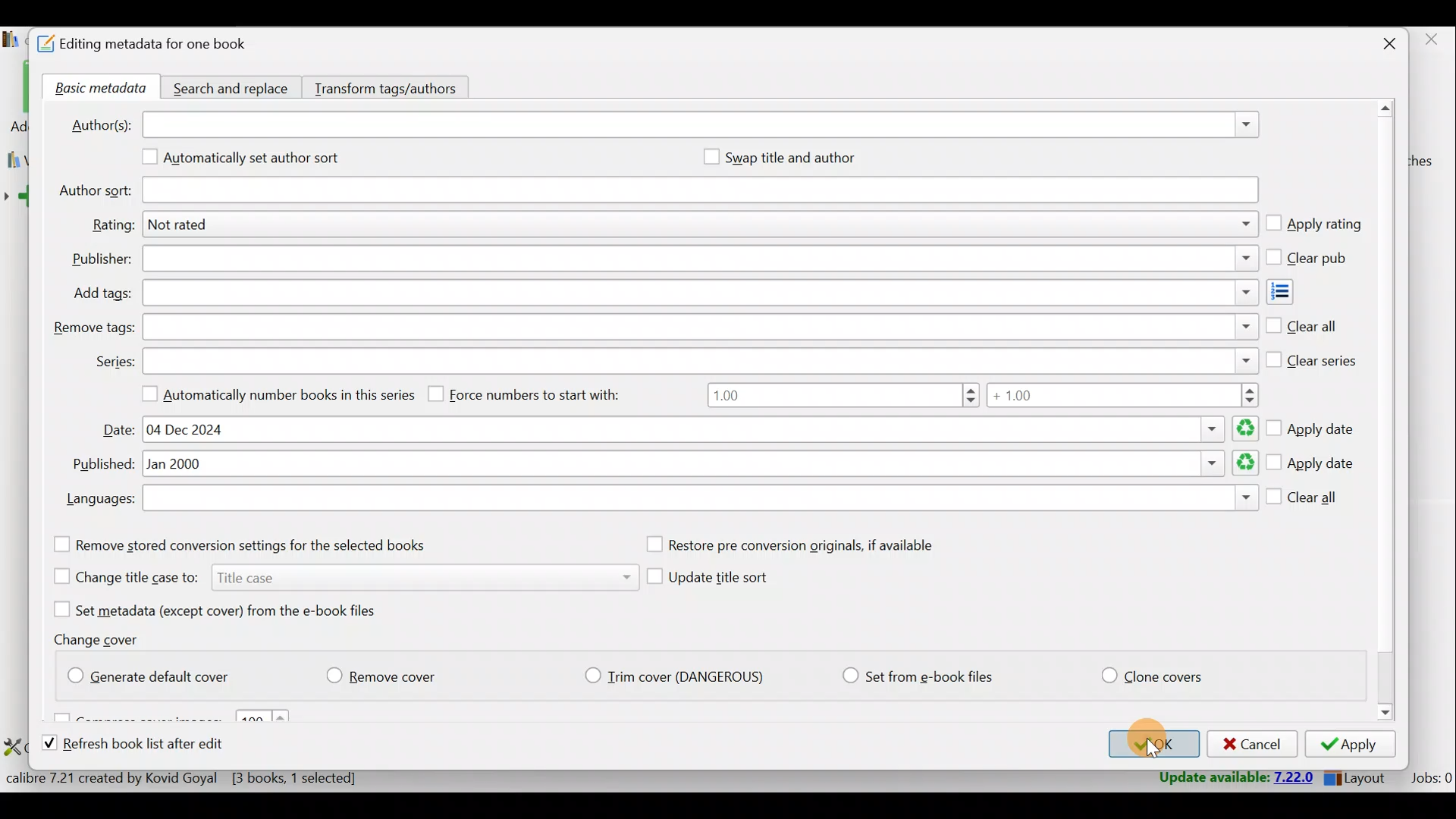 This screenshot has width=1456, height=819. Describe the element at coordinates (1313, 357) in the screenshot. I see `Clear series` at that location.